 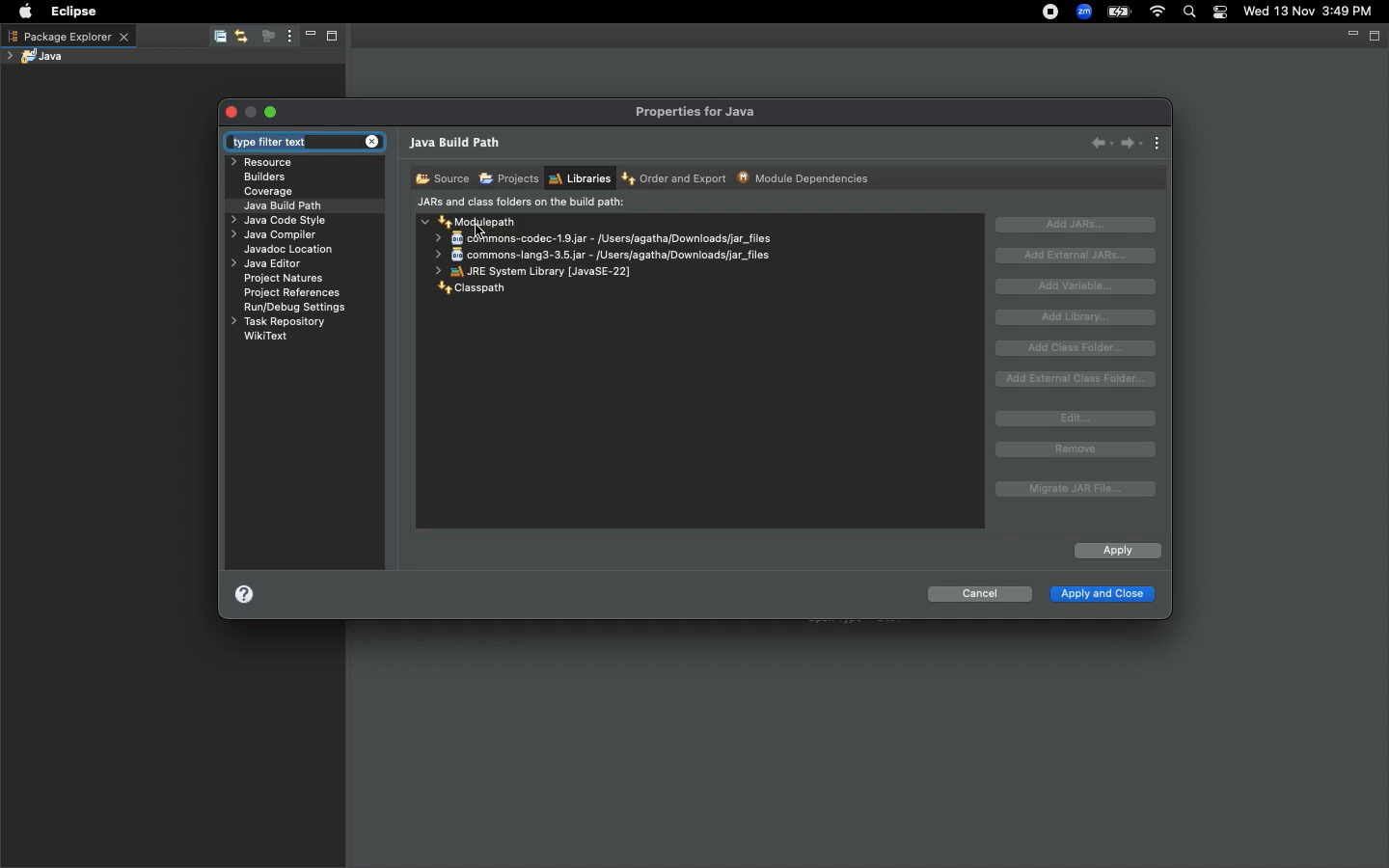 What do you see at coordinates (1076, 419) in the screenshot?
I see `Edit` at bounding box center [1076, 419].